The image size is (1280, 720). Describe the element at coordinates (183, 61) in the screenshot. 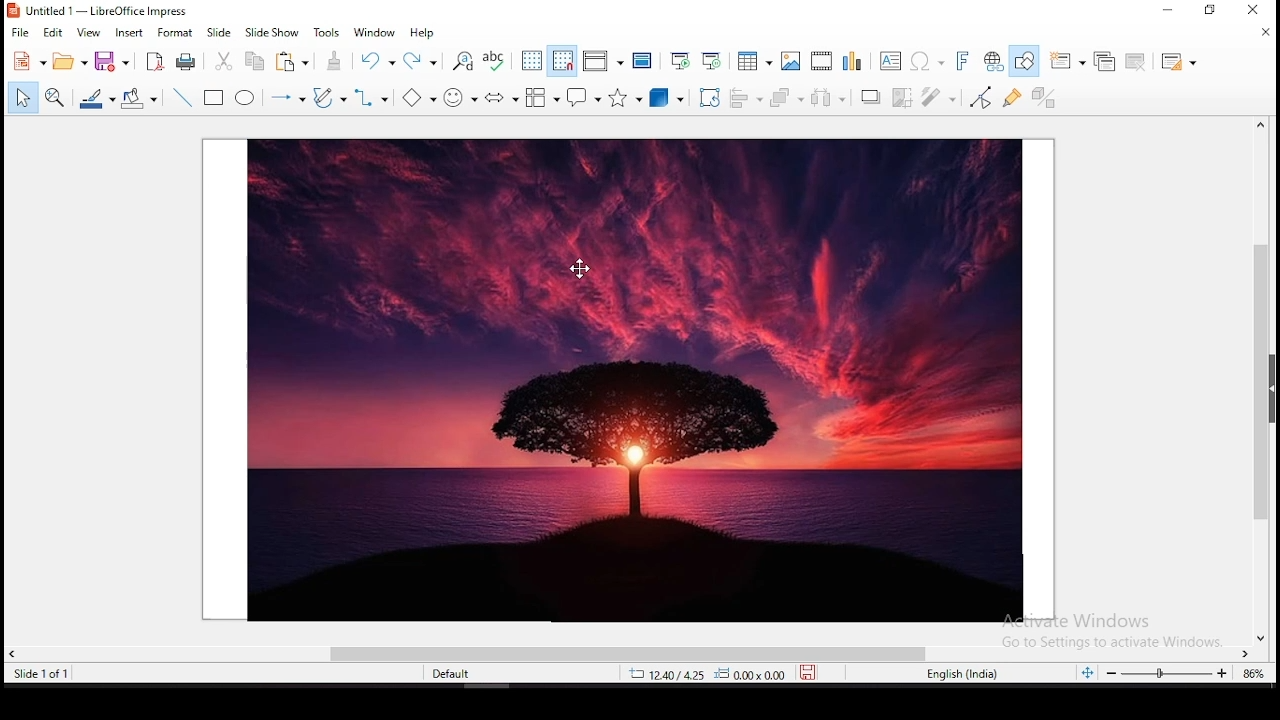

I see `print` at that location.